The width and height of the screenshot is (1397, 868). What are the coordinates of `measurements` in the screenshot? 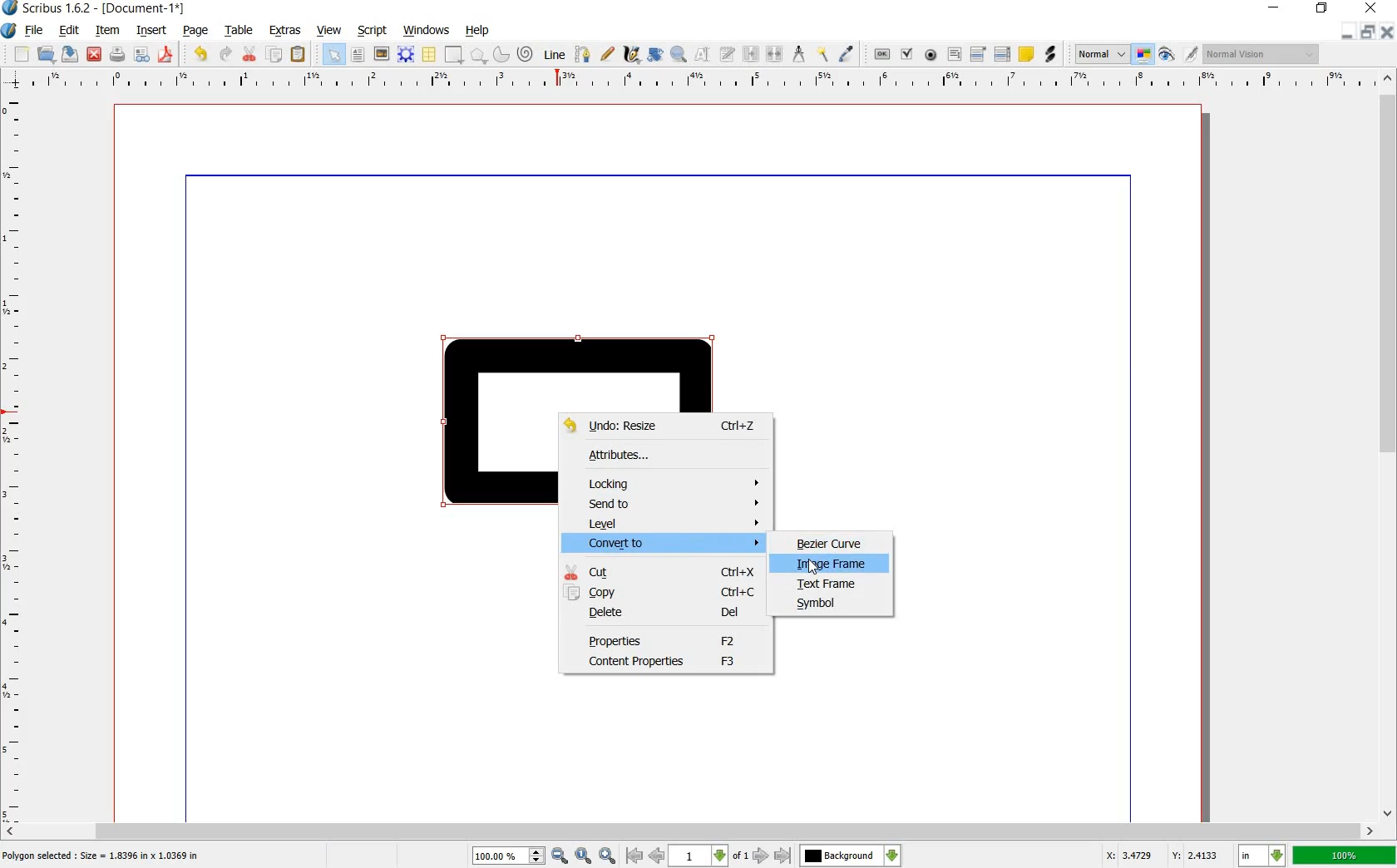 It's located at (799, 53).